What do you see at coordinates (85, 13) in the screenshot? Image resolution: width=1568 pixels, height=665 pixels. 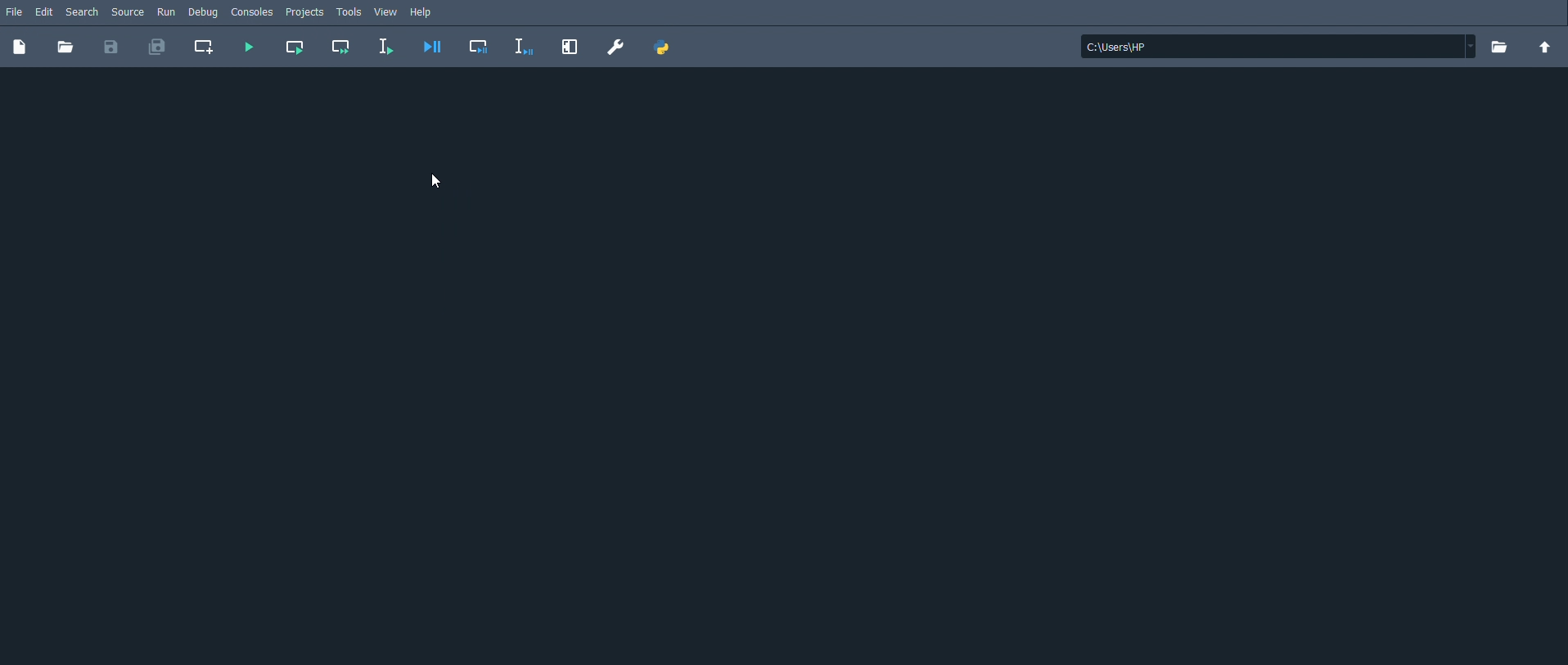 I see `Search` at bounding box center [85, 13].